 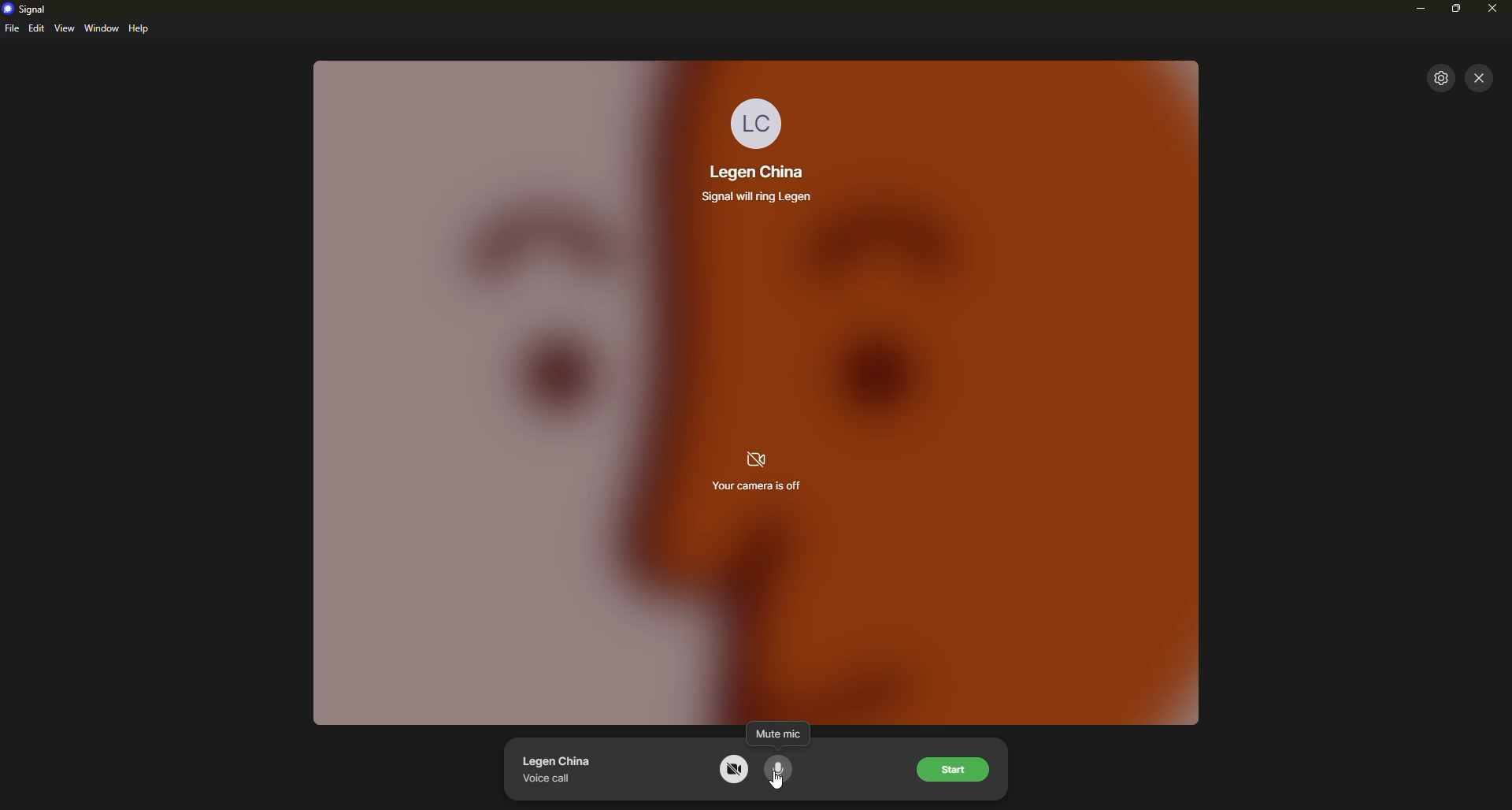 What do you see at coordinates (102, 28) in the screenshot?
I see `window` at bounding box center [102, 28].